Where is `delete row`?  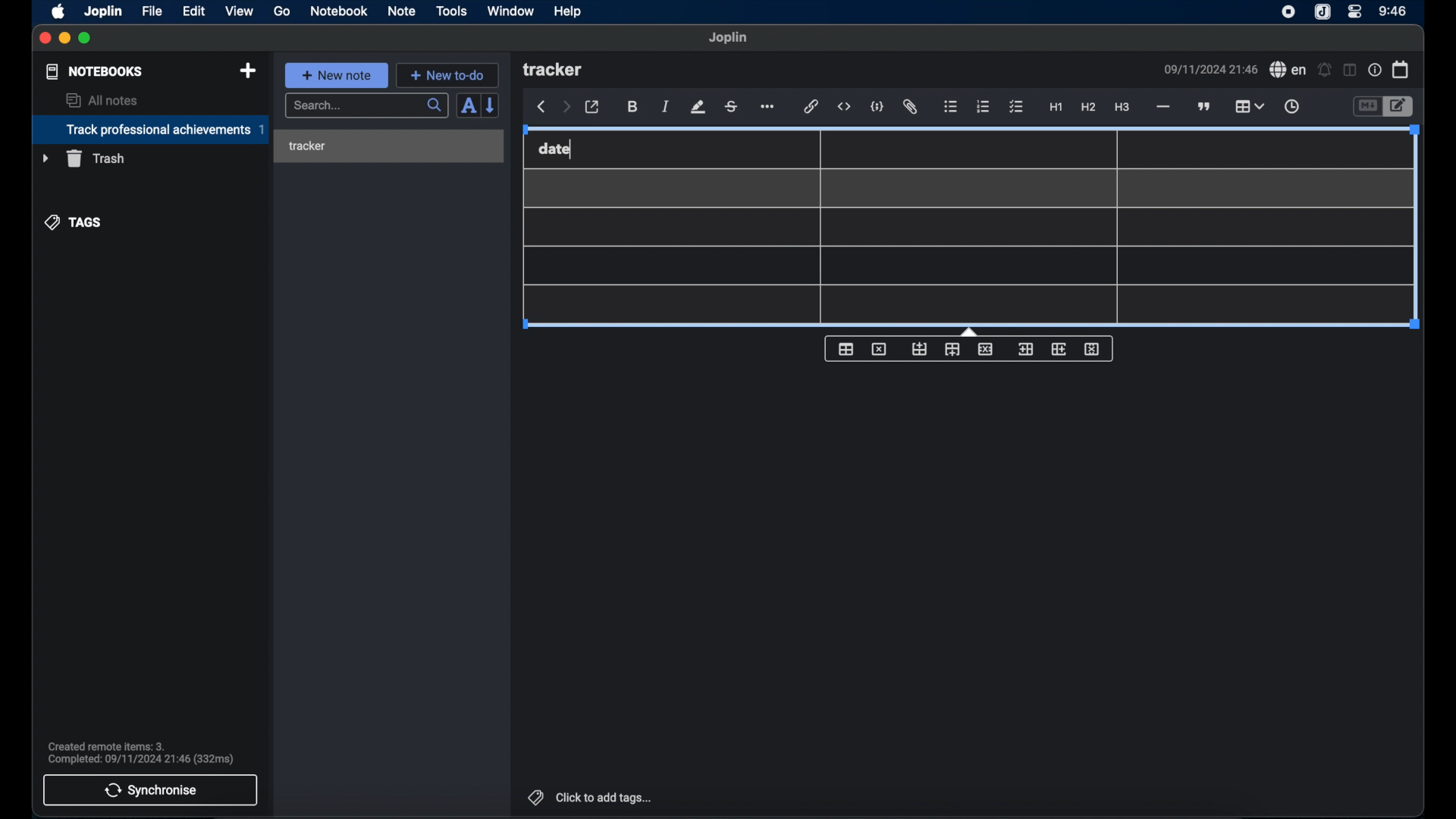
delete row is located at coordinates (985, 349).